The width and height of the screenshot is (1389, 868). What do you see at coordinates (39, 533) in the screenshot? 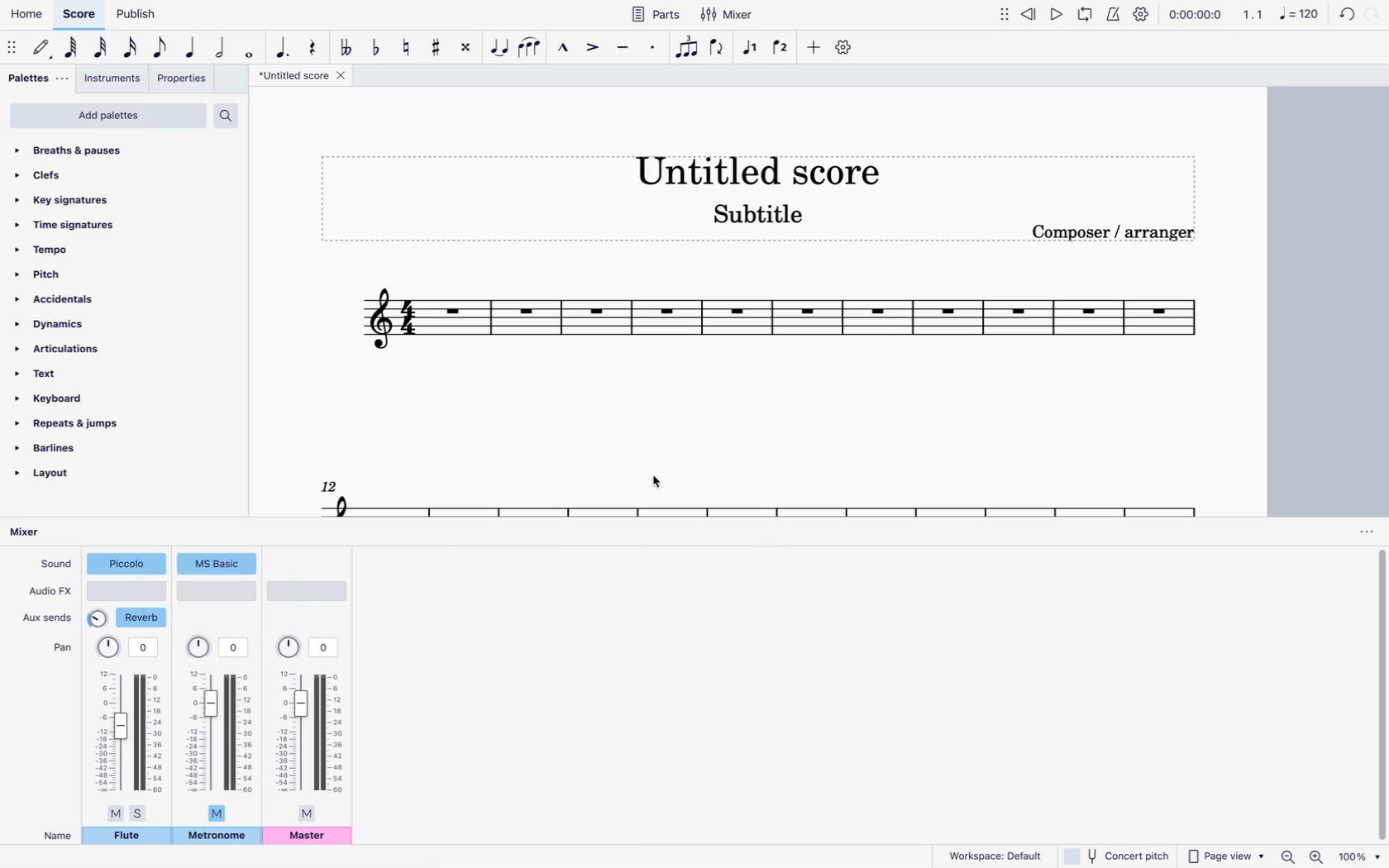
I see `mixer` at bounding box center [39, 533].